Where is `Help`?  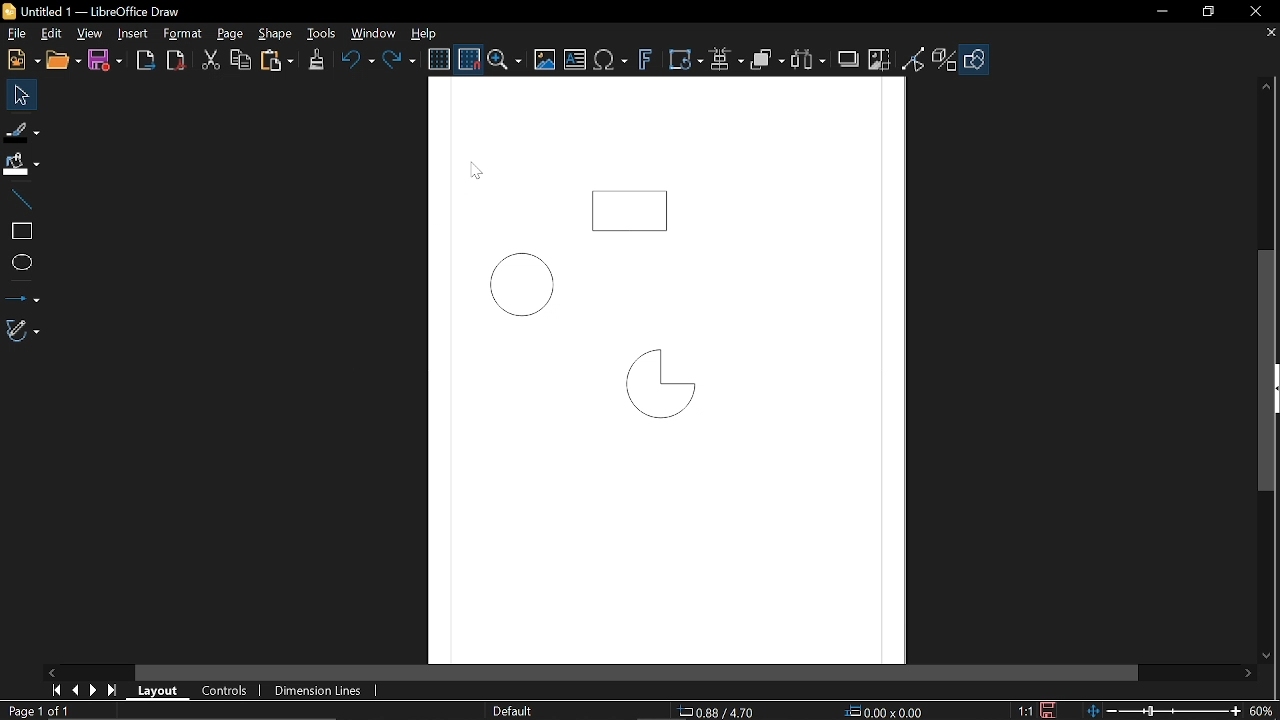
Help is located at coordinates (421, 34).